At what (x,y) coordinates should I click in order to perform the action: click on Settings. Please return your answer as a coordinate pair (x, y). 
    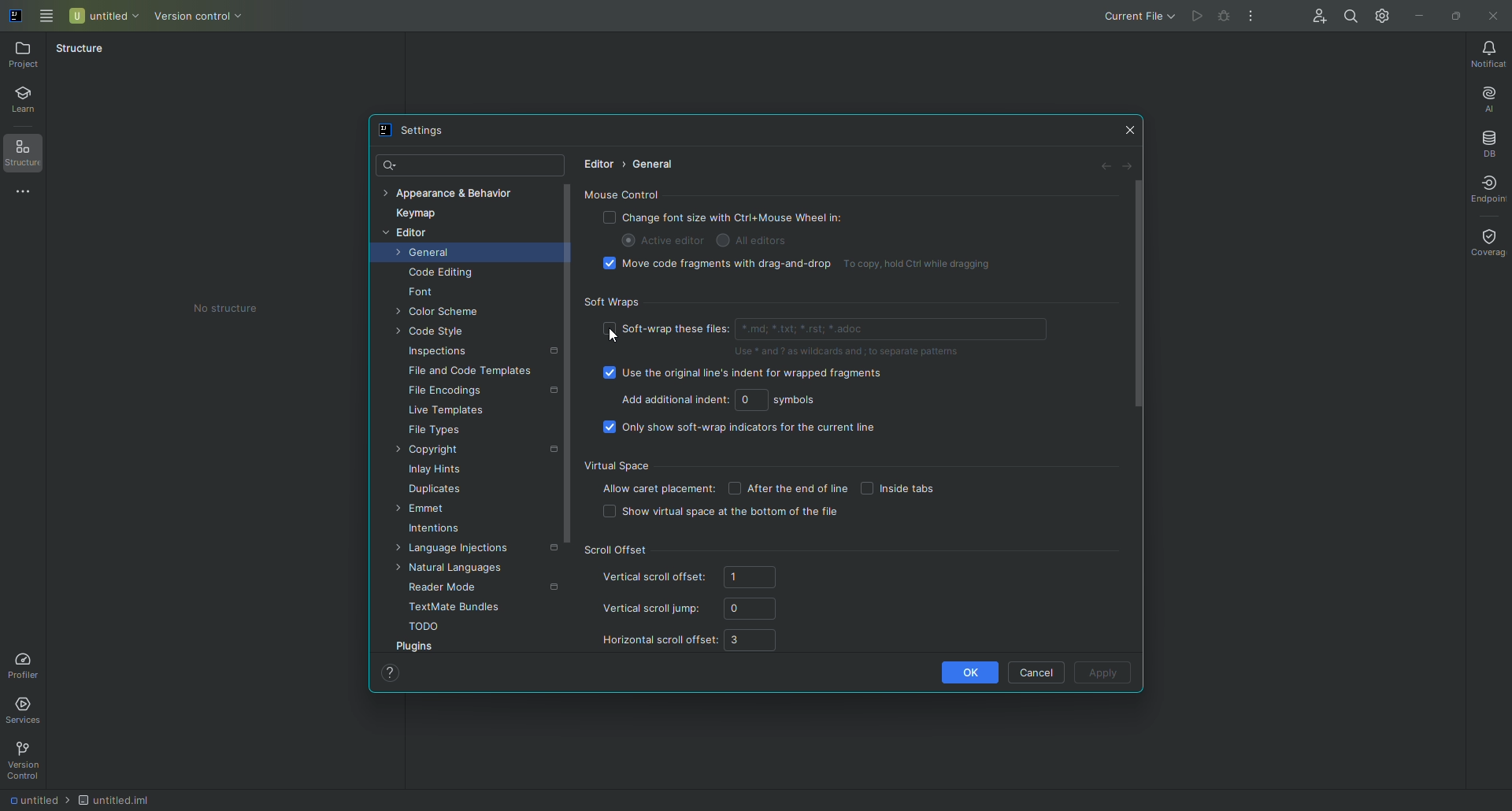
    Looking at the image, I should click on (423, 131).